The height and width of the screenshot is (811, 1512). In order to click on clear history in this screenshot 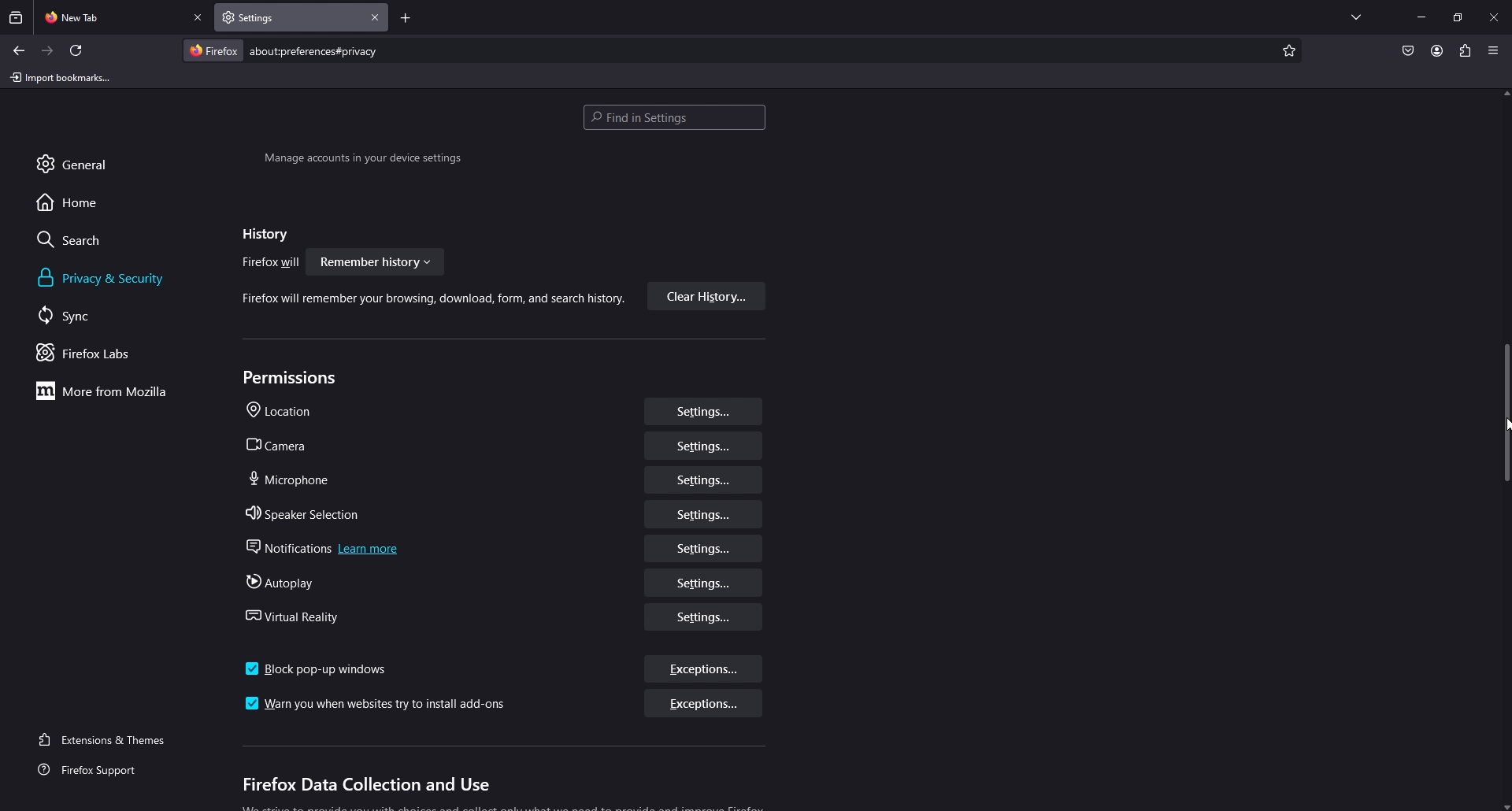, I will do `click(706, 297)`.